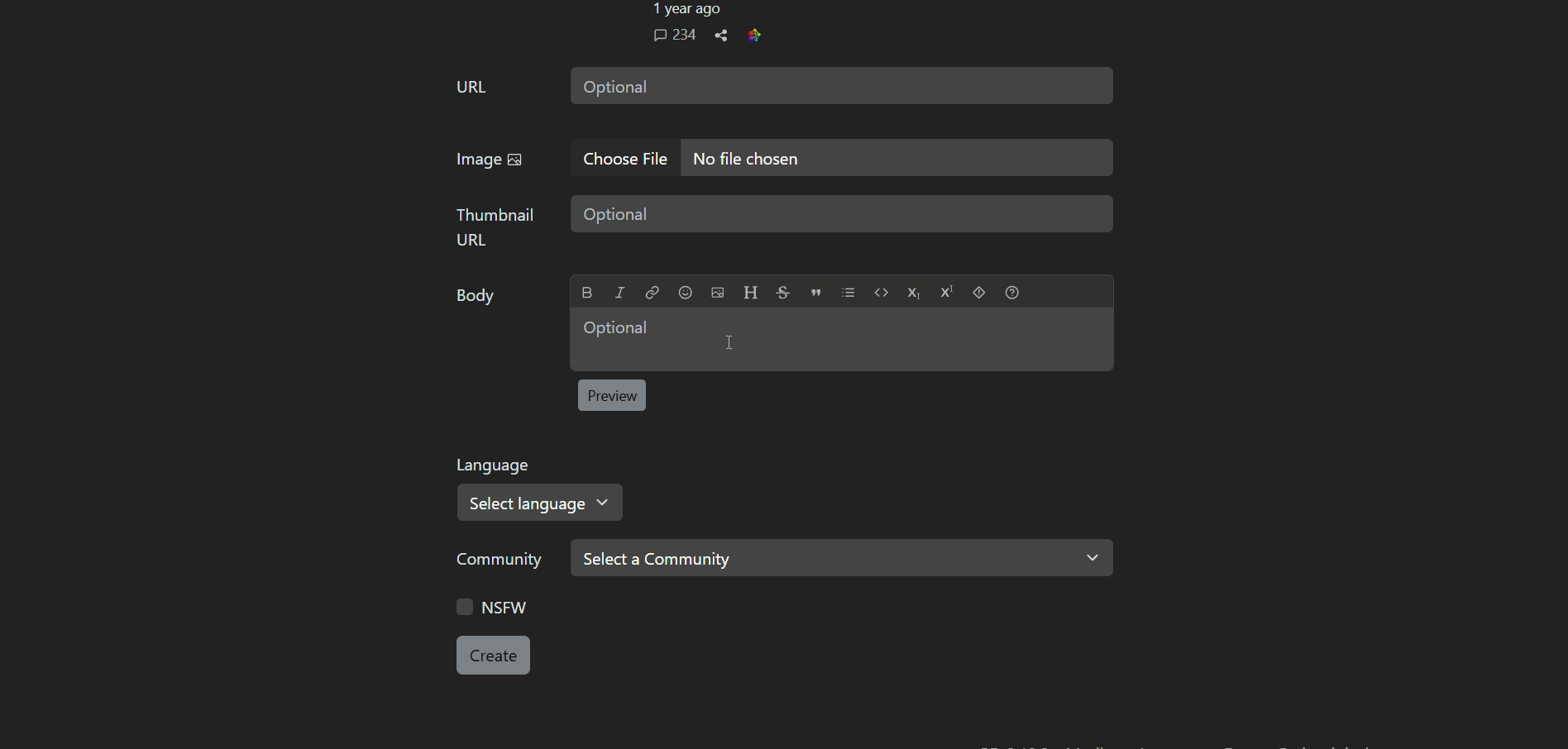 The height and width of the screenshot is (749, 1568). I want to click on NSFW, so click(494, 606).